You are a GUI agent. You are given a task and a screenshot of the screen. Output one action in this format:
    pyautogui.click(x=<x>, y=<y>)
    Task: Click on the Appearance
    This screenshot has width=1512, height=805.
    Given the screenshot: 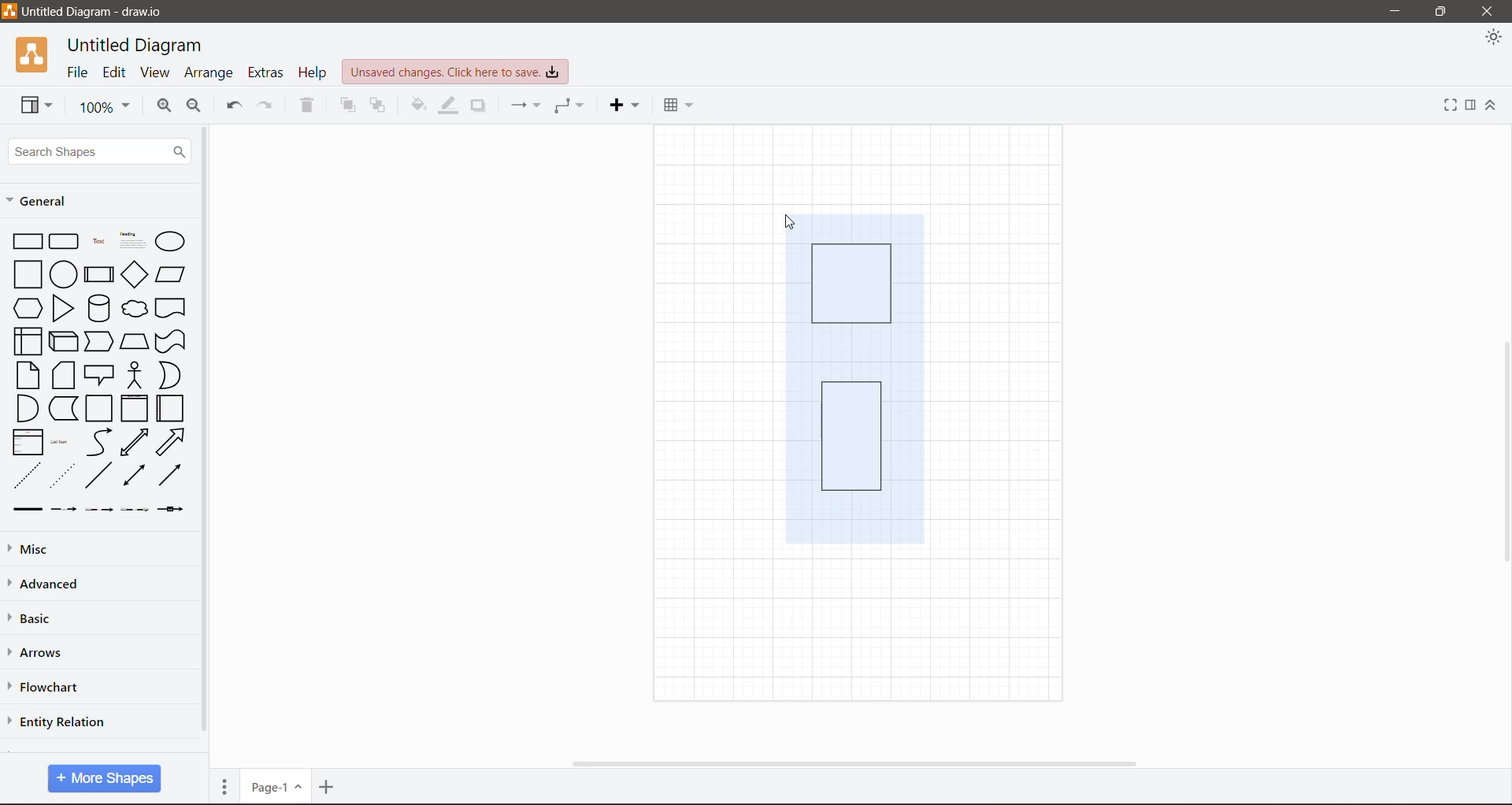 What is the action you would take?
    pyautogui.click(x=1492, y=39)
    